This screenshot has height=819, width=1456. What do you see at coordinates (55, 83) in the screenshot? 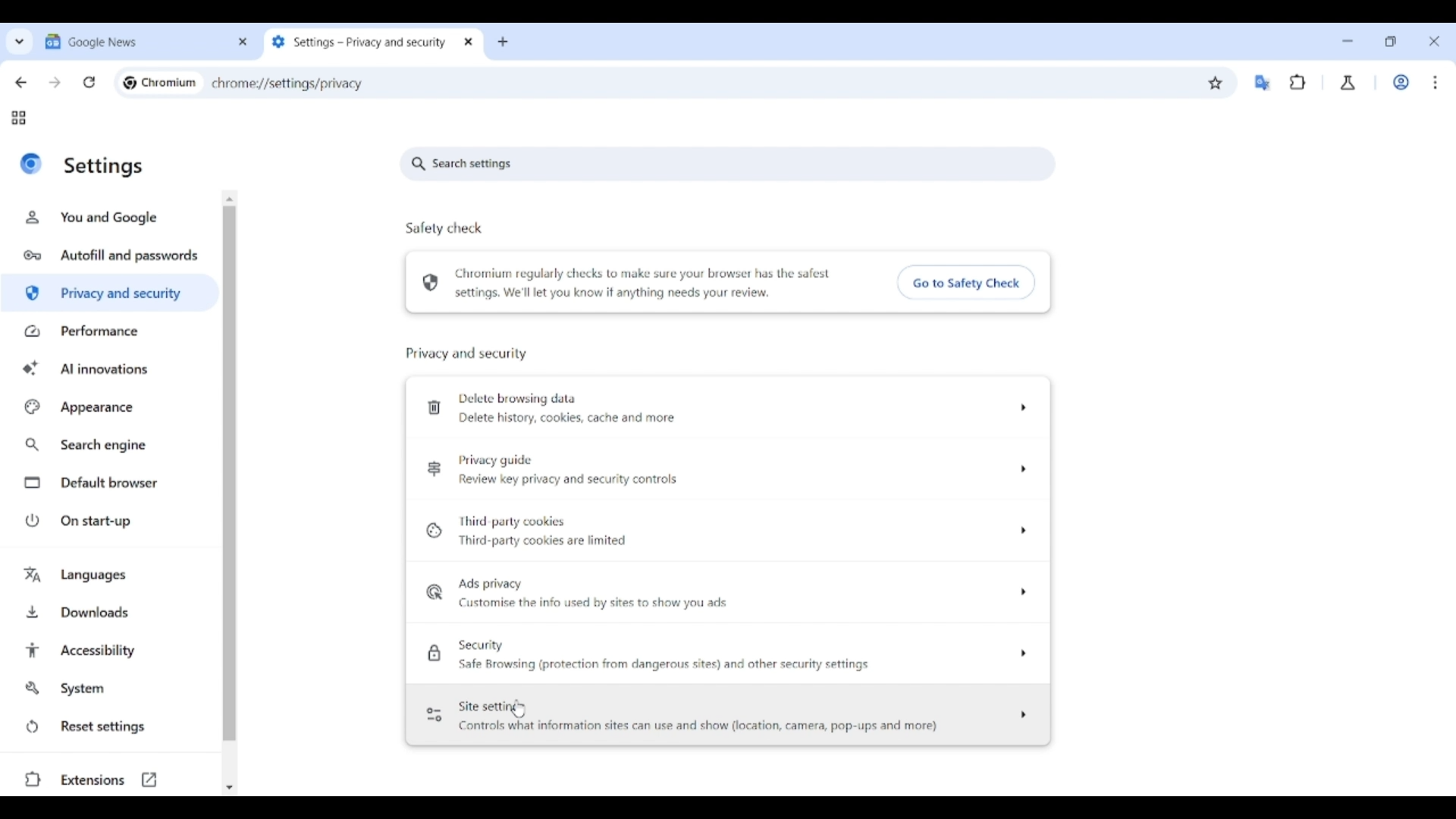
I see `Go forward` at bounding box center [55, 83].